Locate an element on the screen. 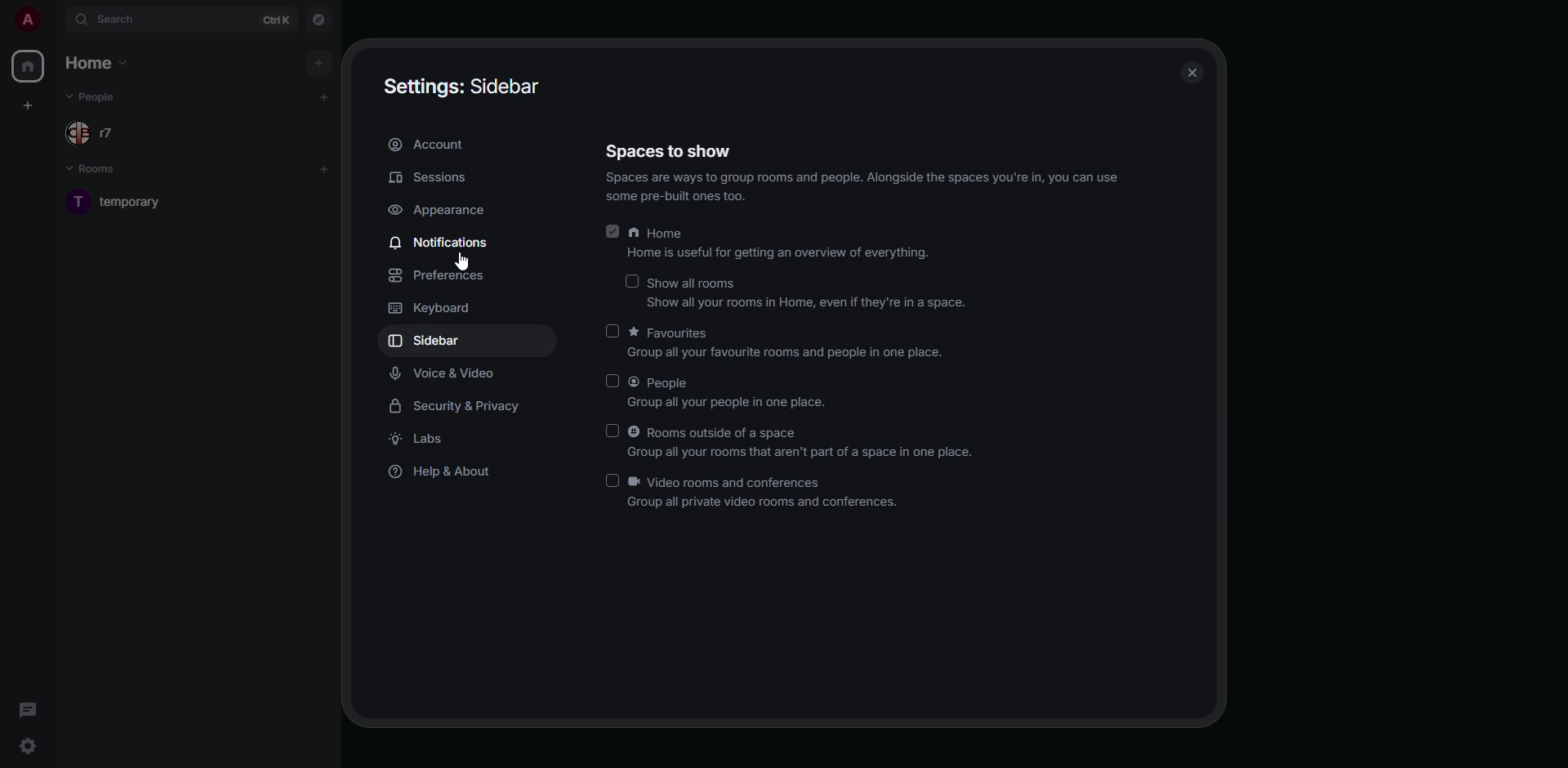 The image size is (1568, 768). close is located at coordinates (1193, 71).